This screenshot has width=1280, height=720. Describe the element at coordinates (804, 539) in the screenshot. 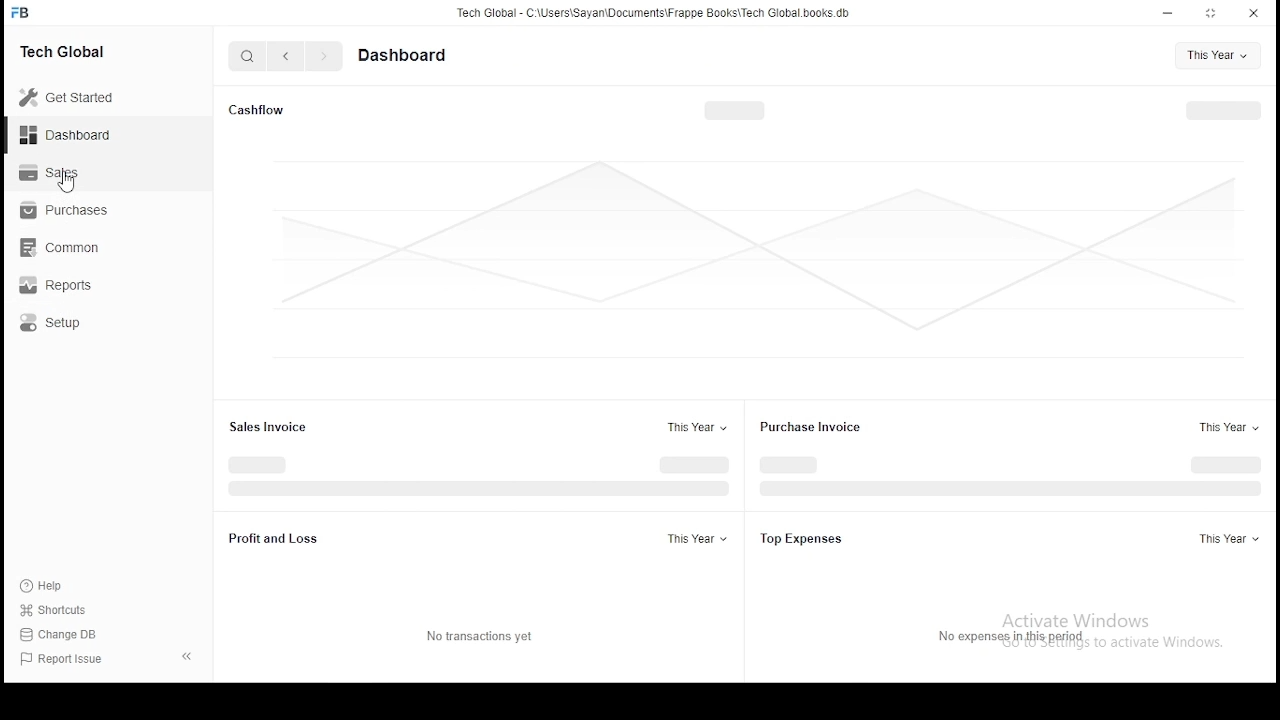

I see `top expenses` at that location.